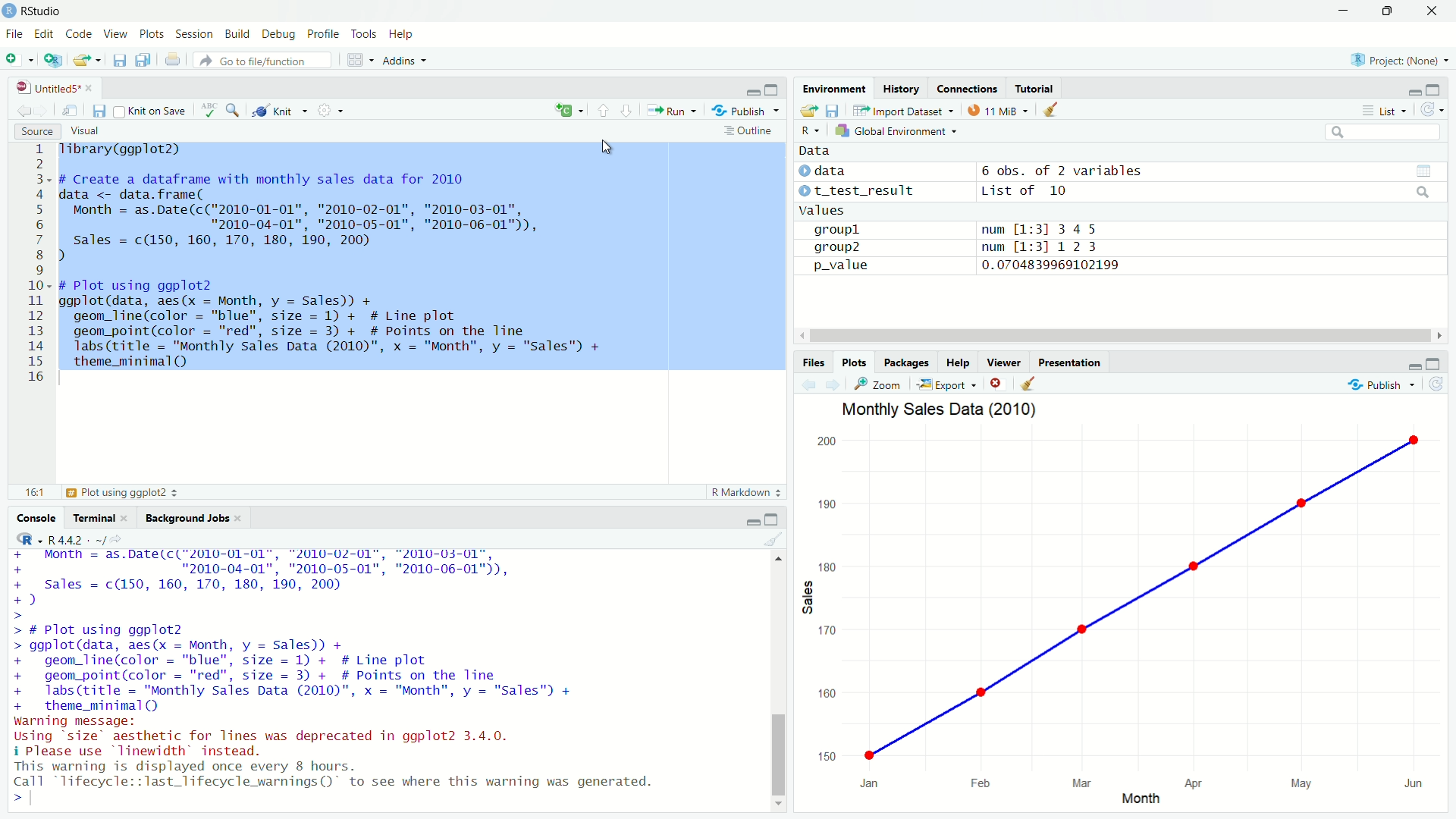 This screenshot has width=1456, height=819. Describe the element at coordinates (171, 59) in the screenshot. I see `print current file` at that location.